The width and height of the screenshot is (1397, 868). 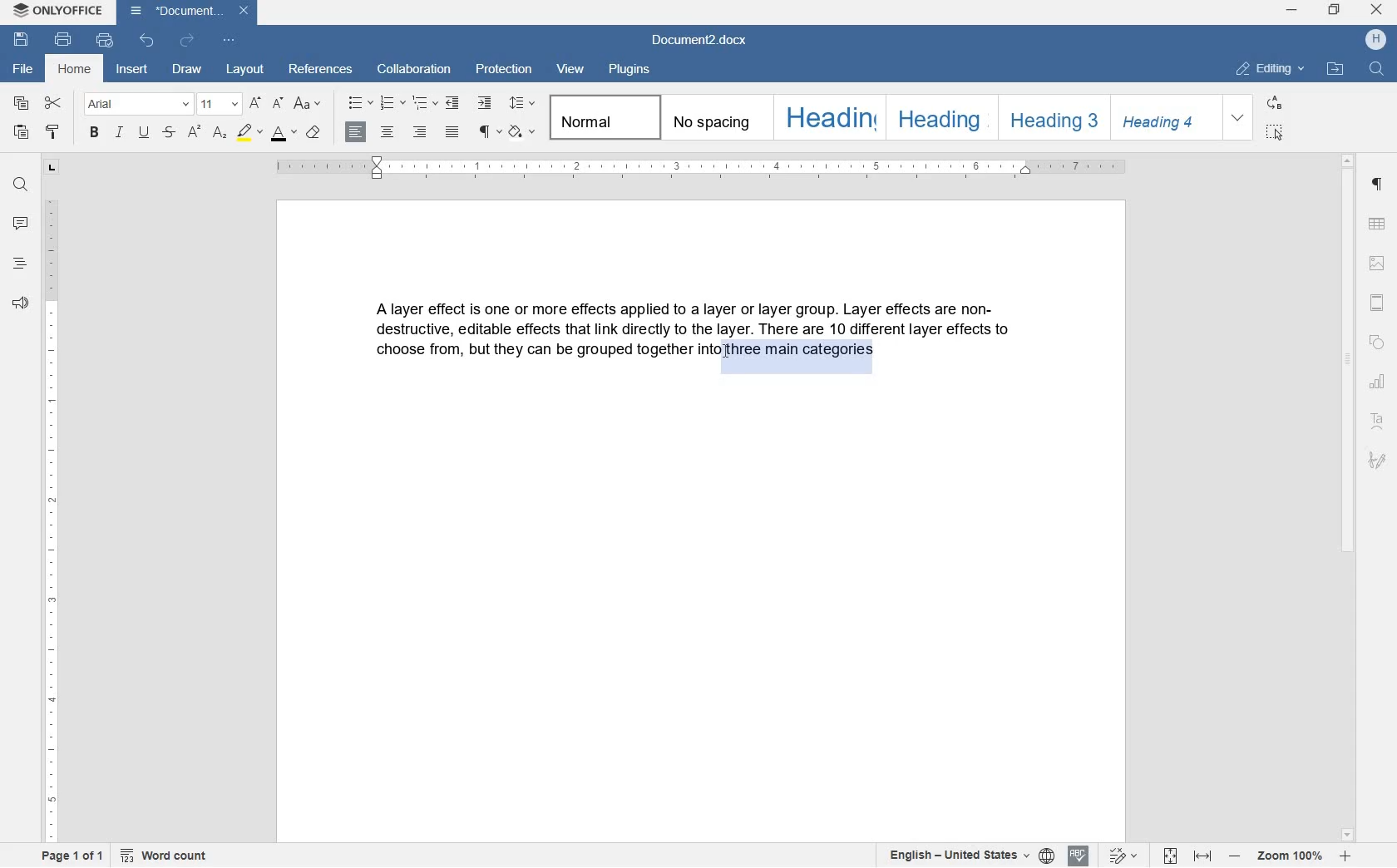 What do you see at coordinates (146, 132) in the screenshot?
I see `underline` at bounding box center [146, 132].